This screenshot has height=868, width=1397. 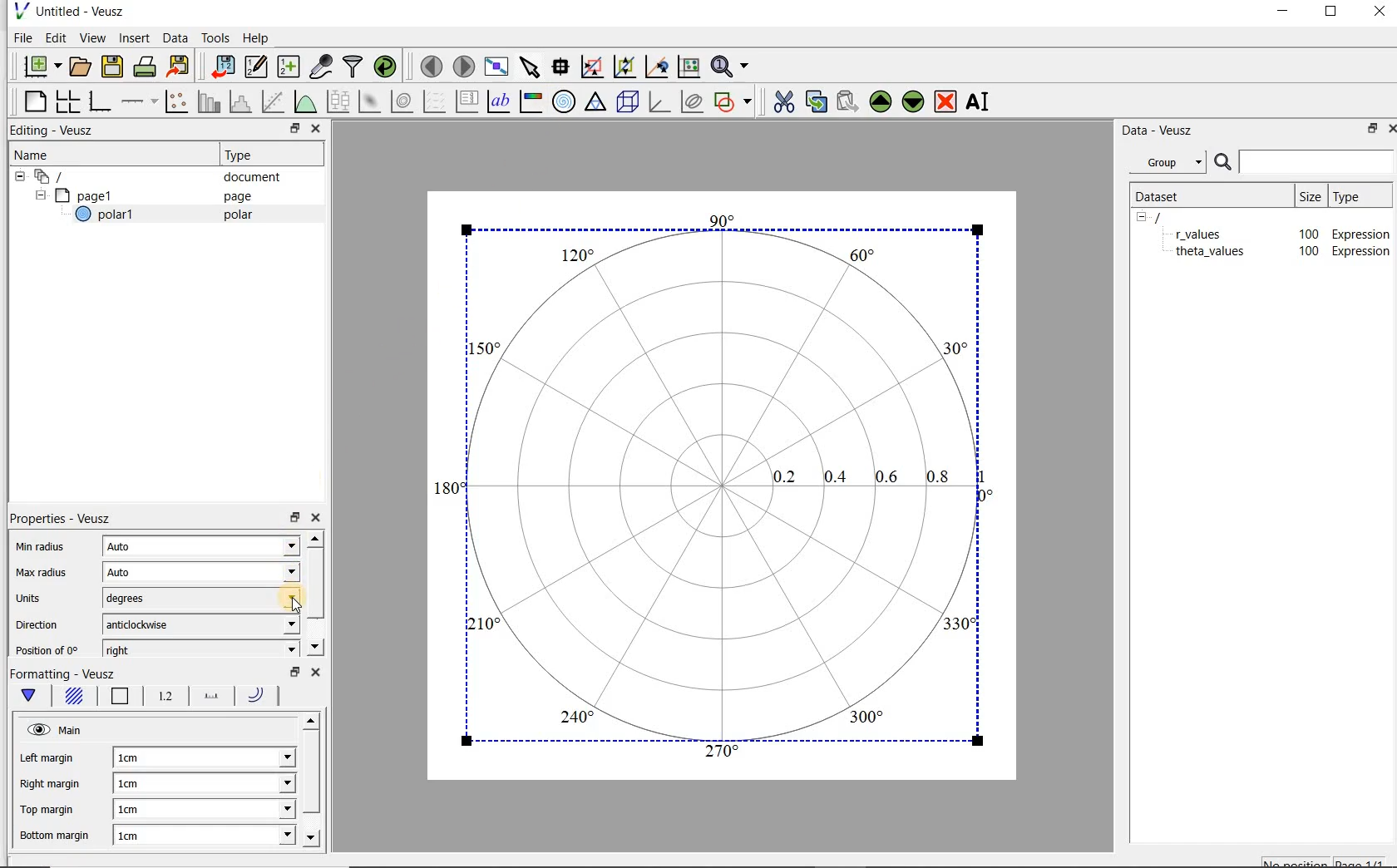 What do you see at coordinates (37, 154) in the screenshot?
I see `Name` at bounding box center [37, 154].